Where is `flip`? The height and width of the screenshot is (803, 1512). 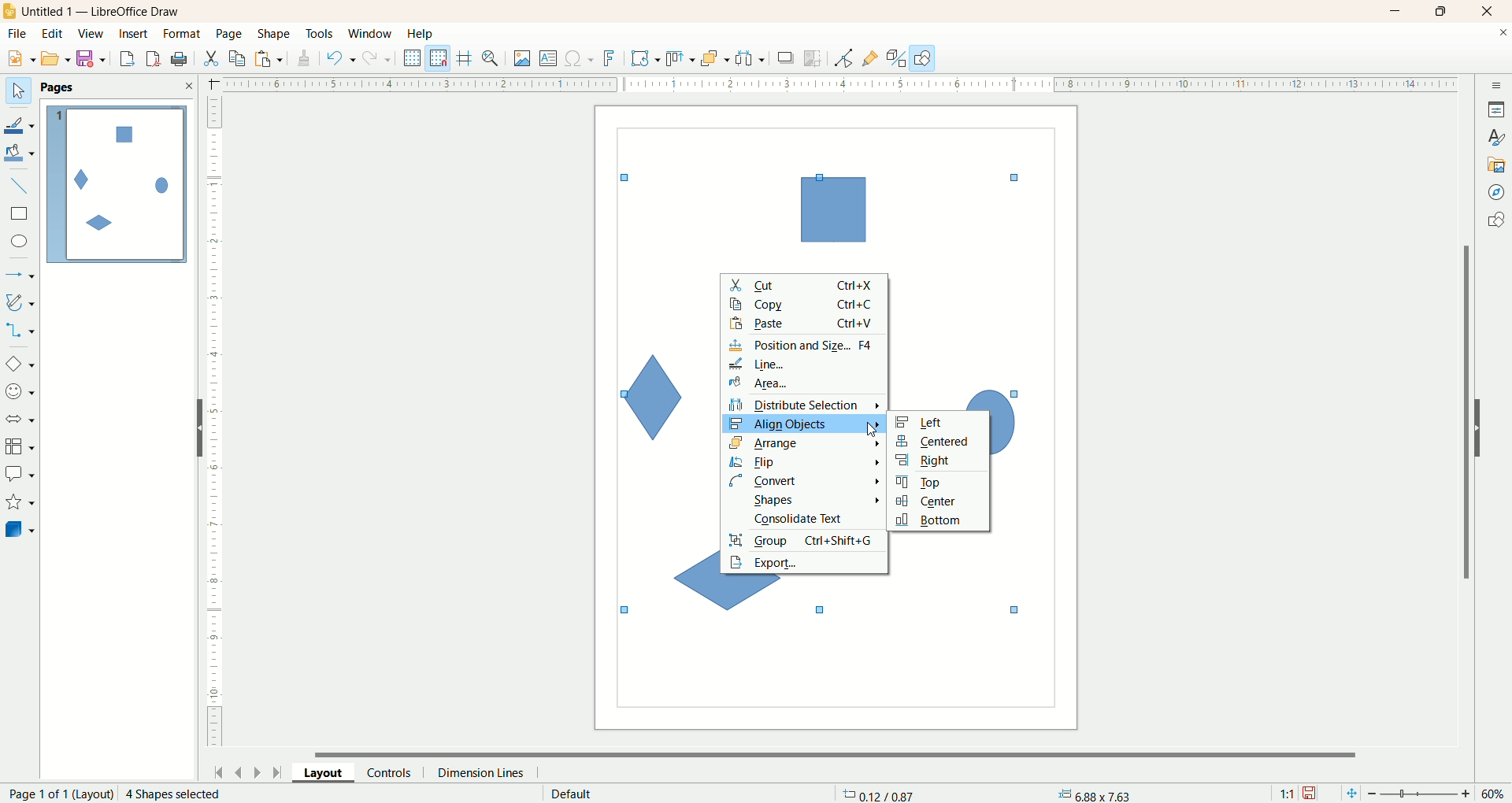
flip is located at coordinates (807, 462).